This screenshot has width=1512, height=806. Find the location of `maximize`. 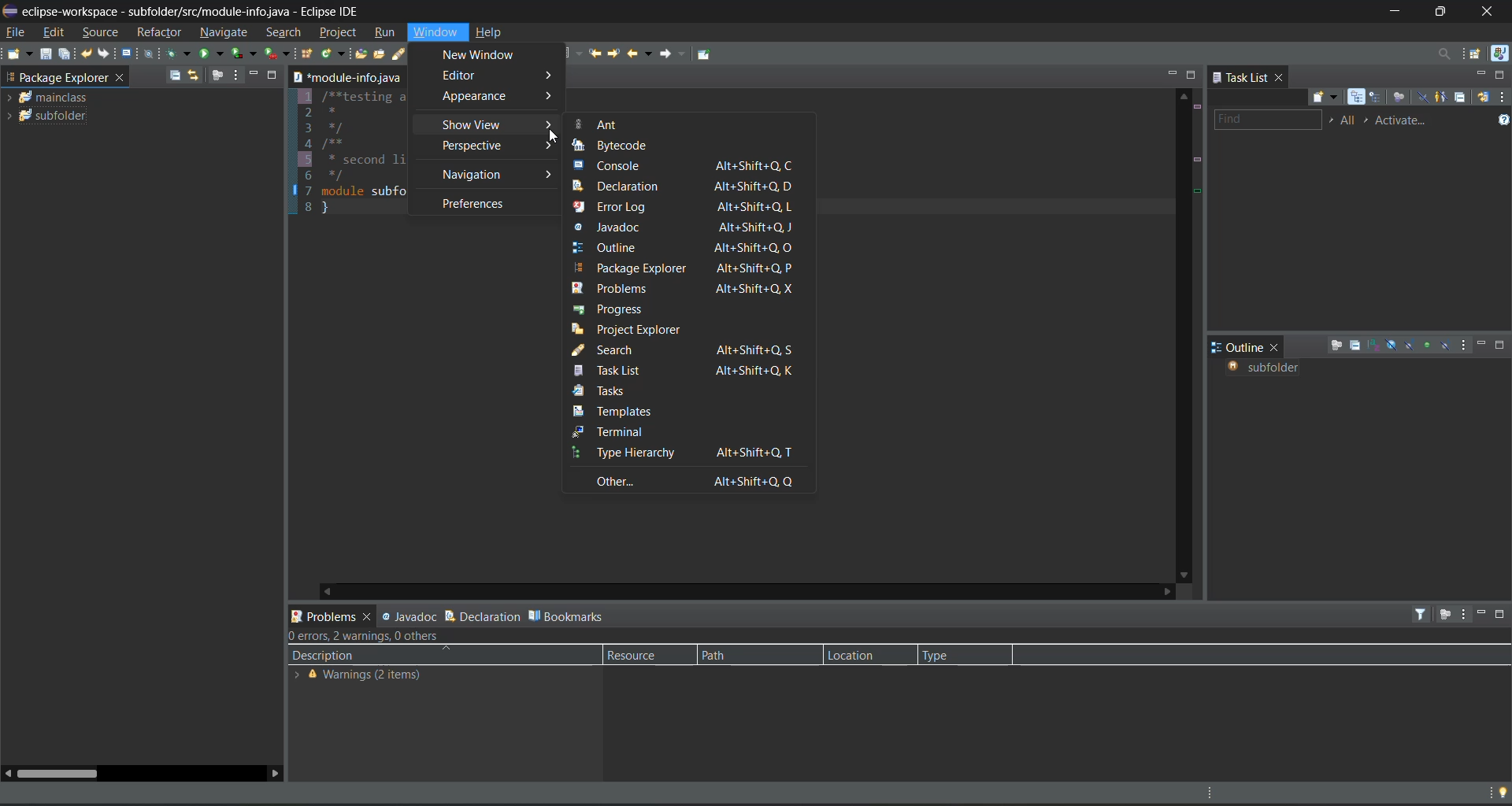

maximize is located at coordinates (1501, 614).